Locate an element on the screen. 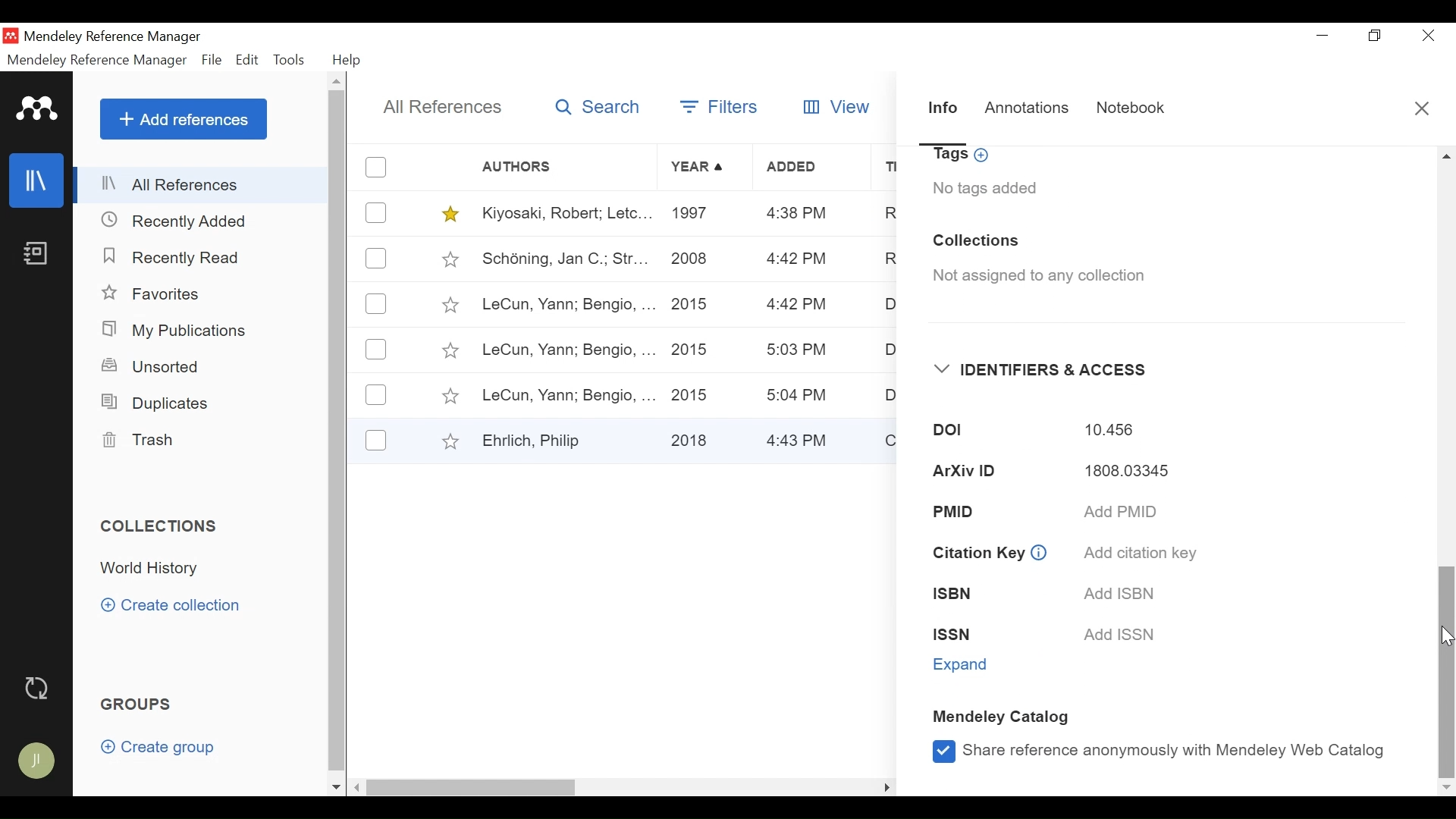  Create group is located at coordinates (158, 746).